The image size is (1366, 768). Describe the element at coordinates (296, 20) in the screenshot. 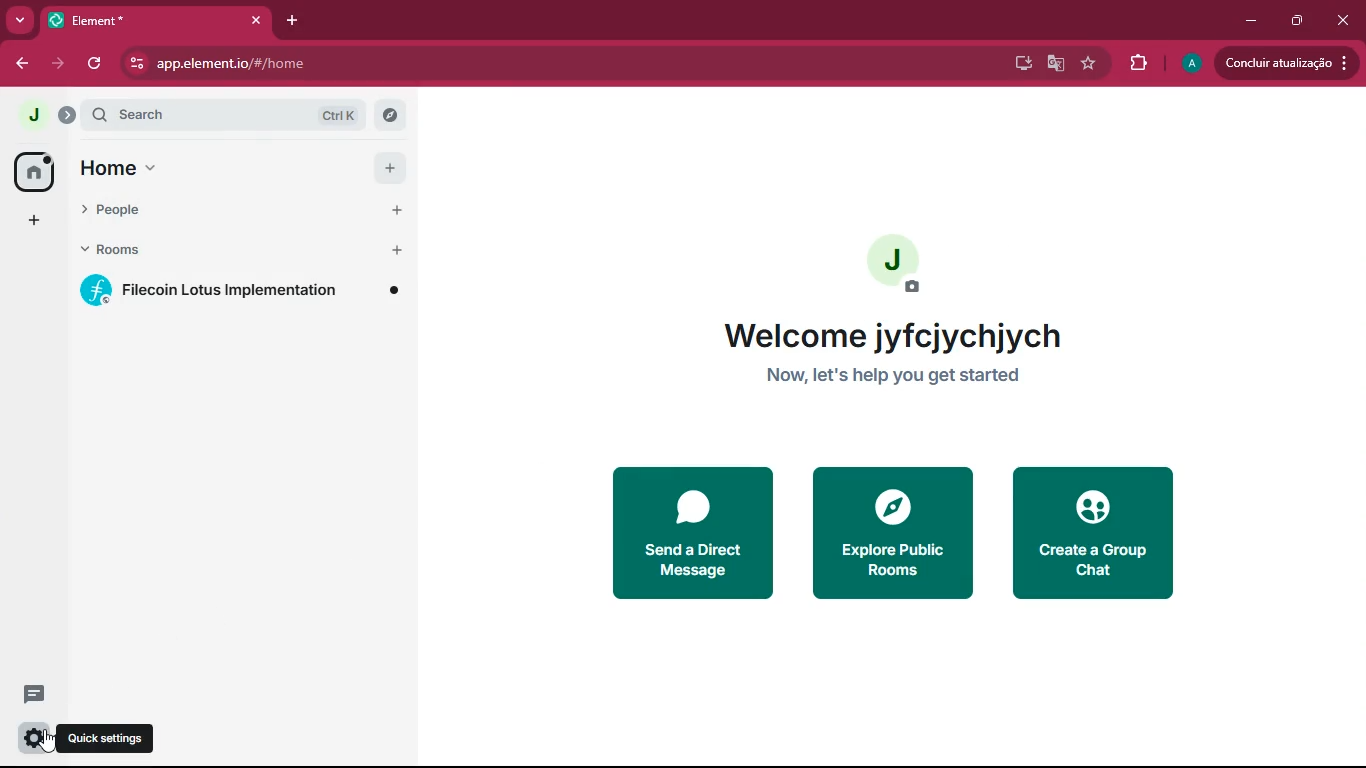

I see `add tab` at that location.